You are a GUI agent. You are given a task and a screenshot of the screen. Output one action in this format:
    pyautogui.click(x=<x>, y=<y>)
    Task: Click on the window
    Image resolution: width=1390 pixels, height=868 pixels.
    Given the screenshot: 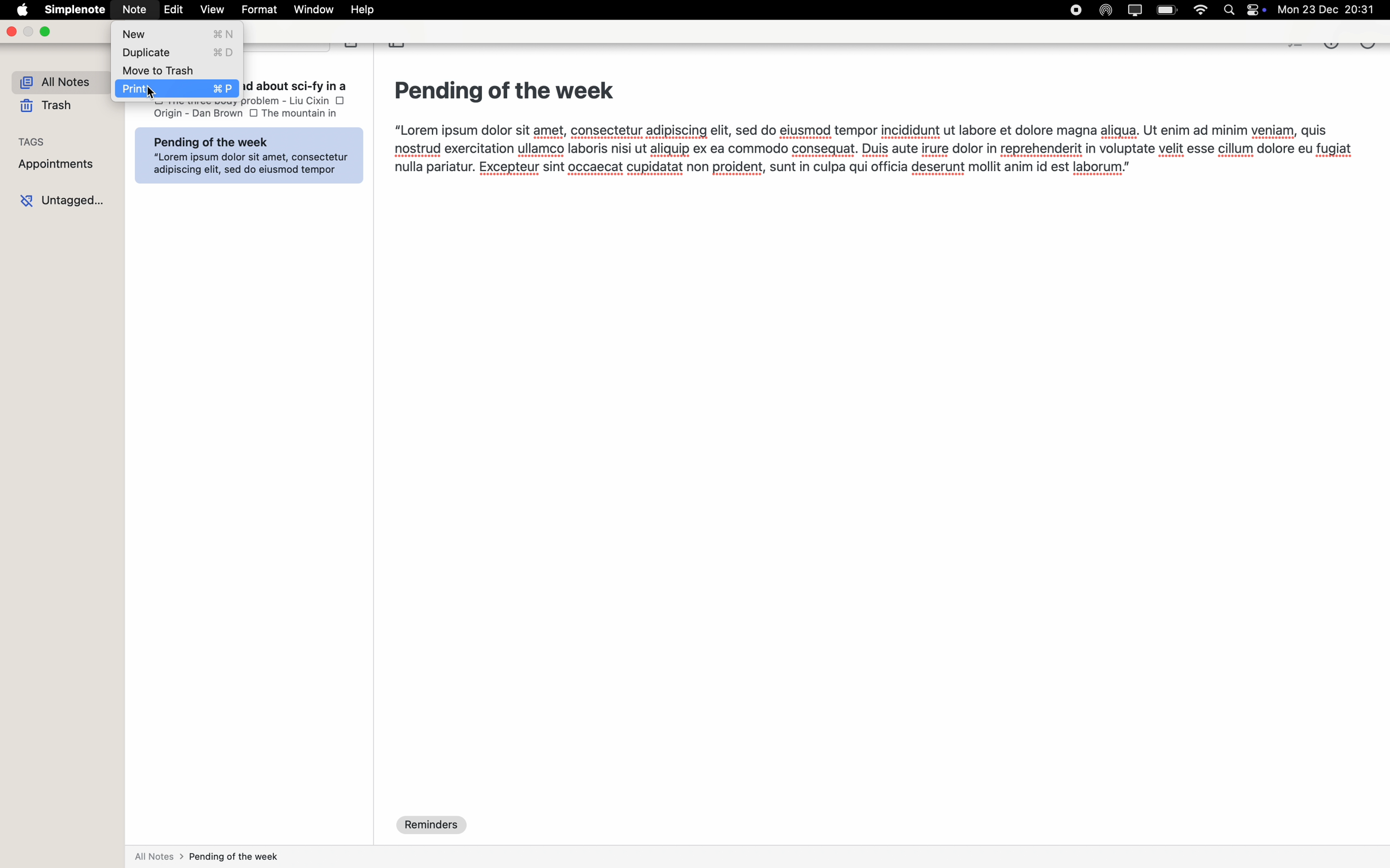 What is the action you would take?
    pyautogui.click(x=313, y=9)
    